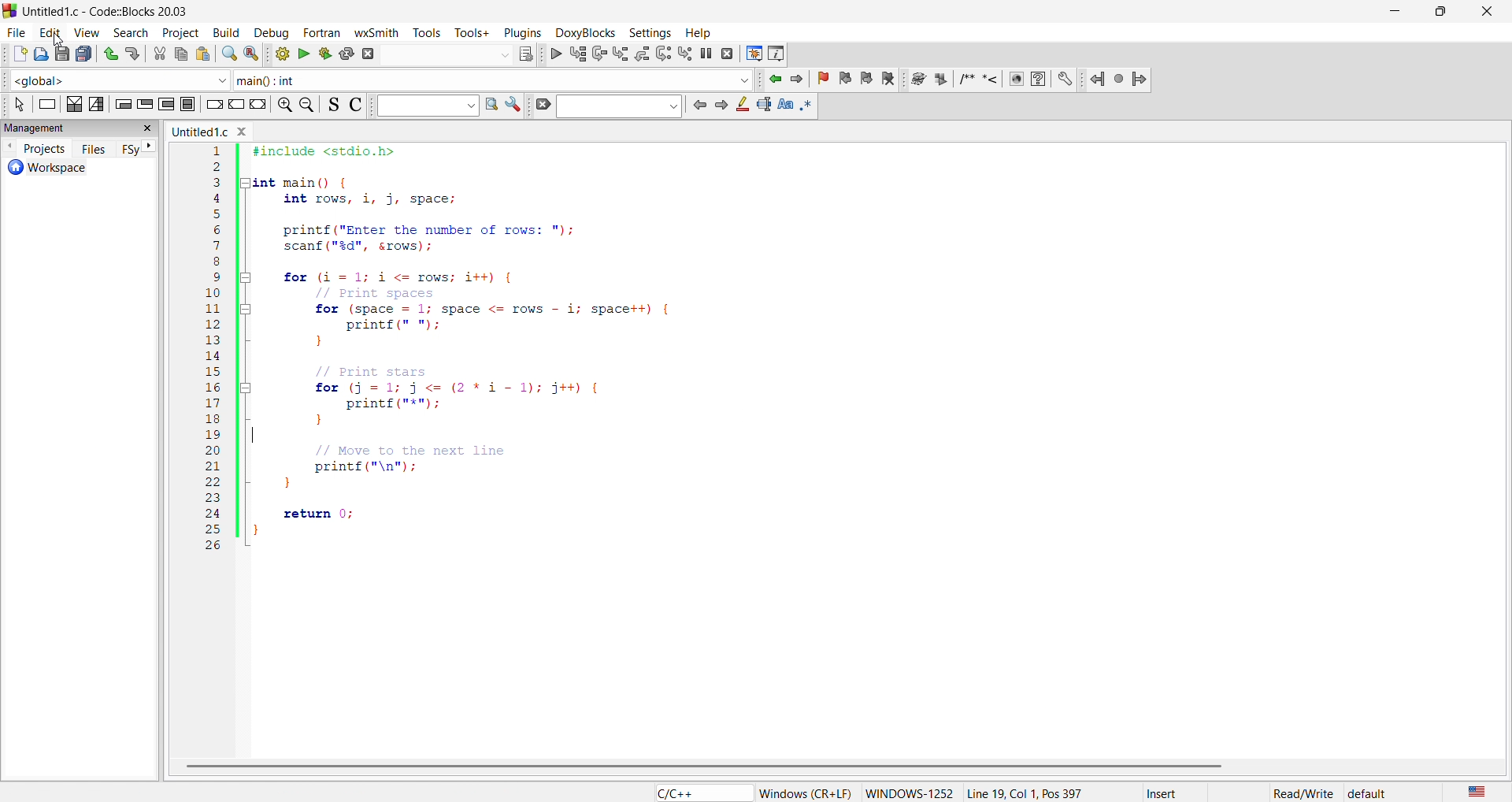 This screenshot has height=802, width=1512. I want to click on Insert, so click(1176, 793).